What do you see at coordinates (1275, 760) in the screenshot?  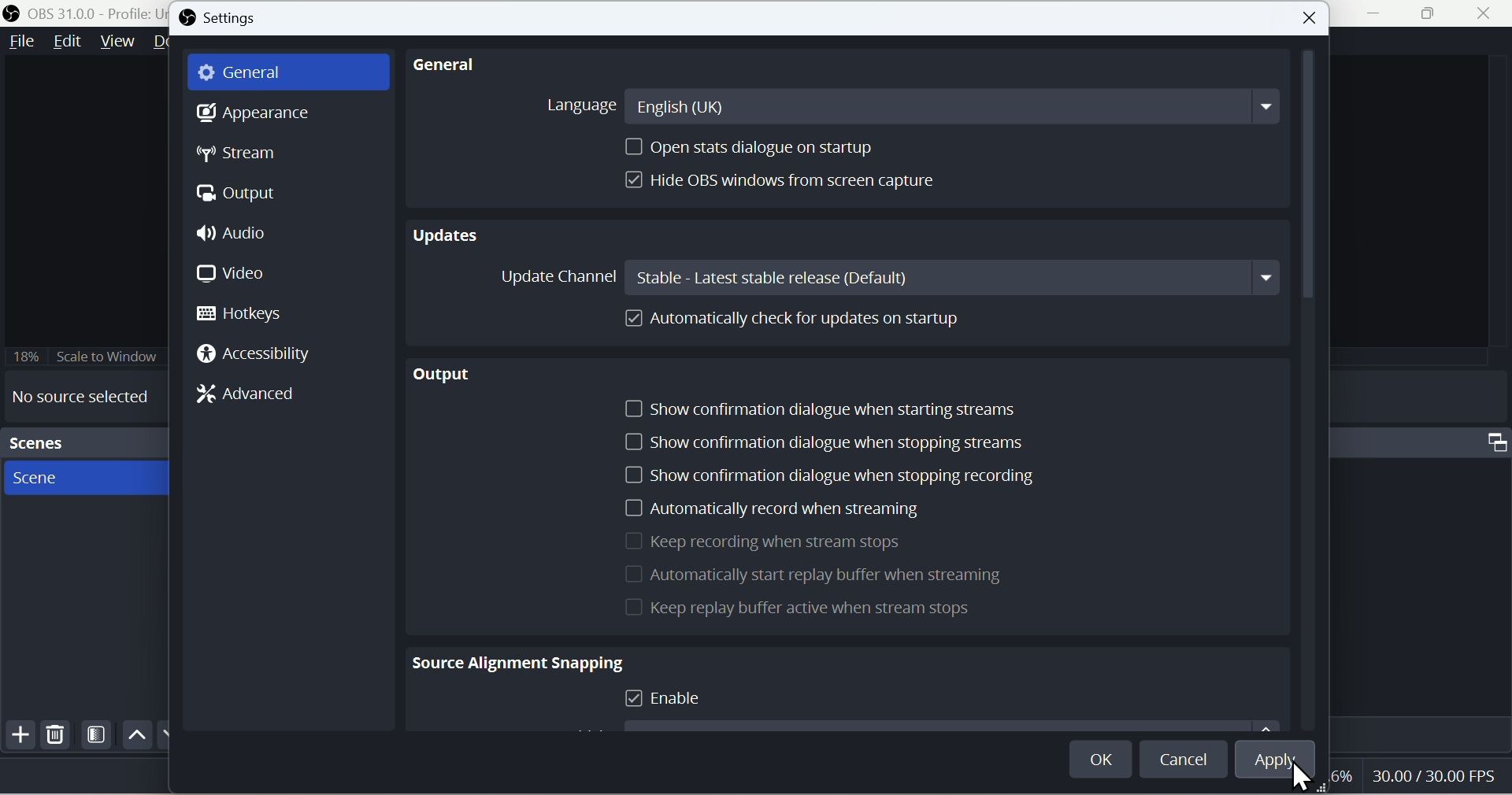 I see `Apply` at bounding box center [1275, 760].